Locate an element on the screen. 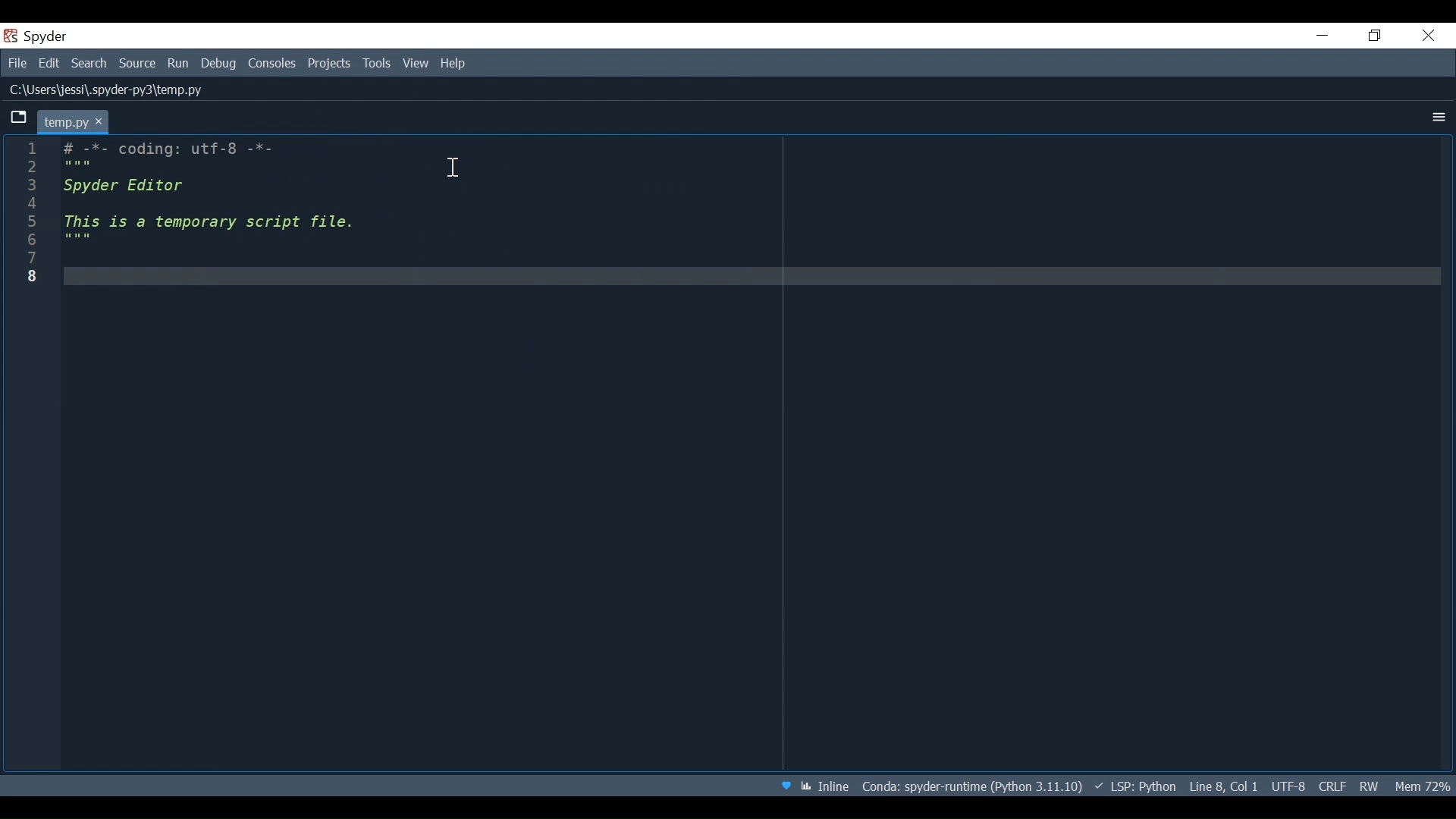 The image size is (1456, 819). cursor is located at coordinates (454, 169).